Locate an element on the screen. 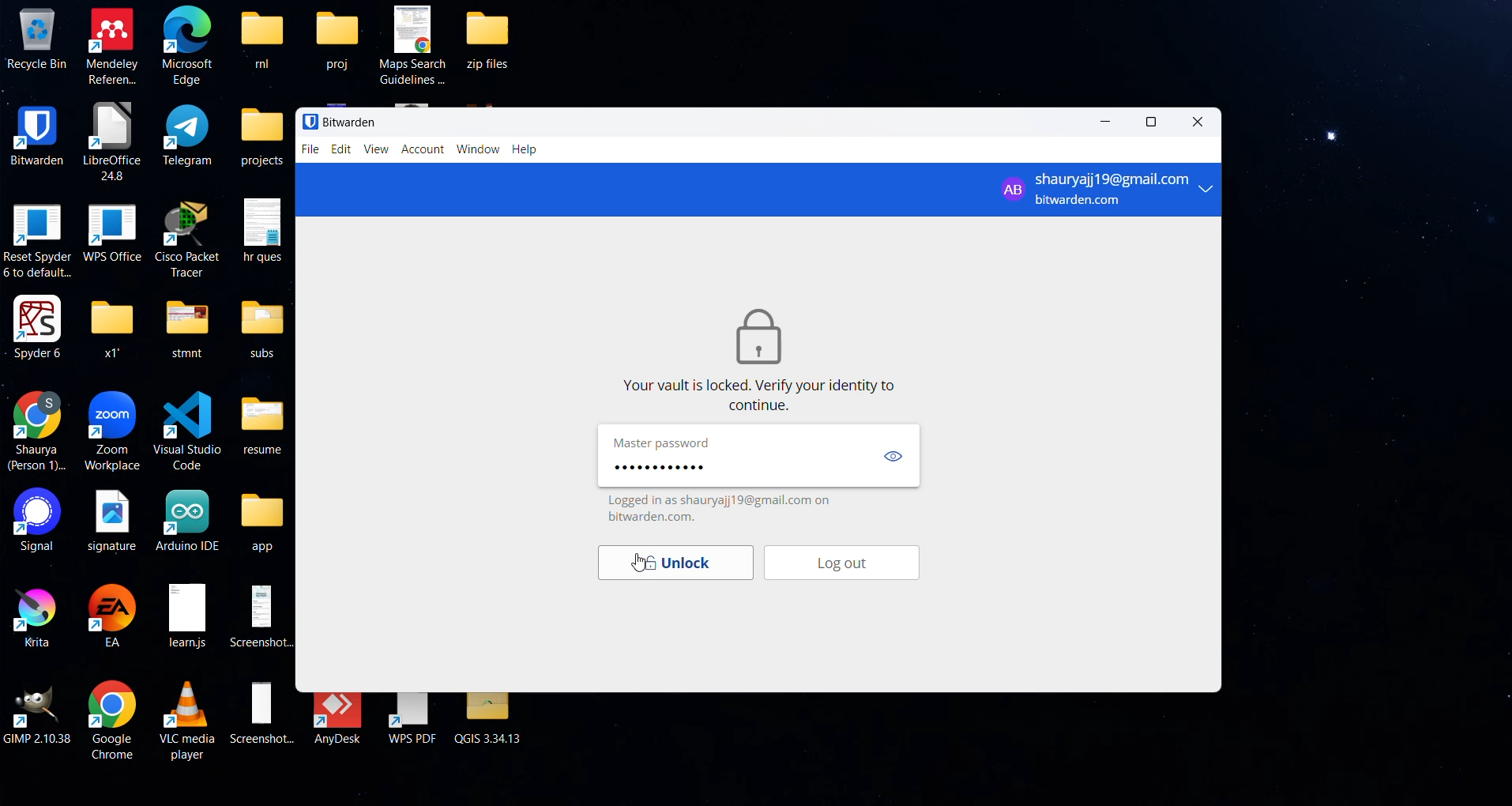  shauryajj19@gmail.com bitwarden.com is located at coordinates (1105, 188).